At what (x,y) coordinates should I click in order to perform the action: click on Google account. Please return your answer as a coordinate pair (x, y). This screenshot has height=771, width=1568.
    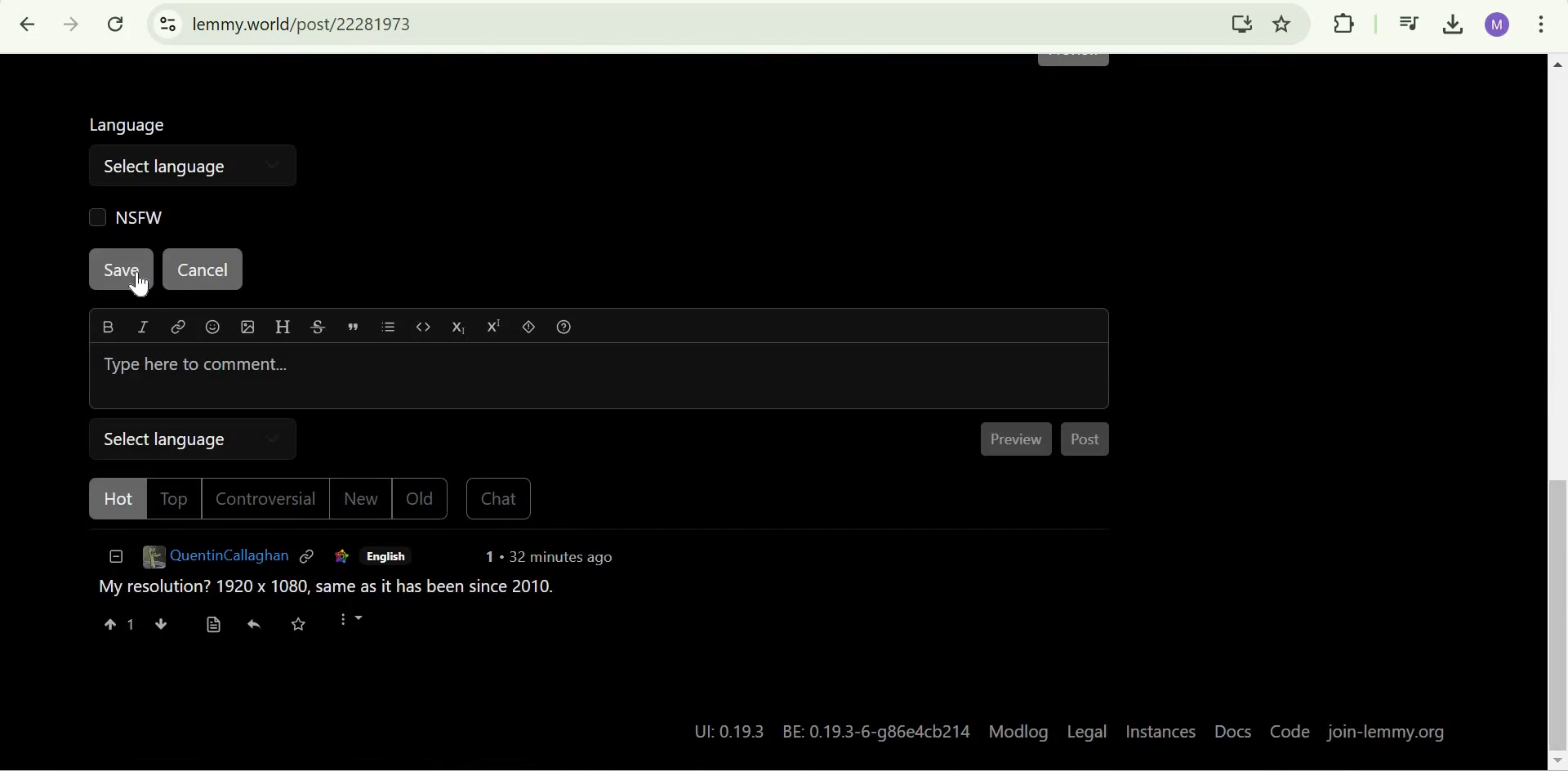
    Looking at the image, I should click on (1498, 25).